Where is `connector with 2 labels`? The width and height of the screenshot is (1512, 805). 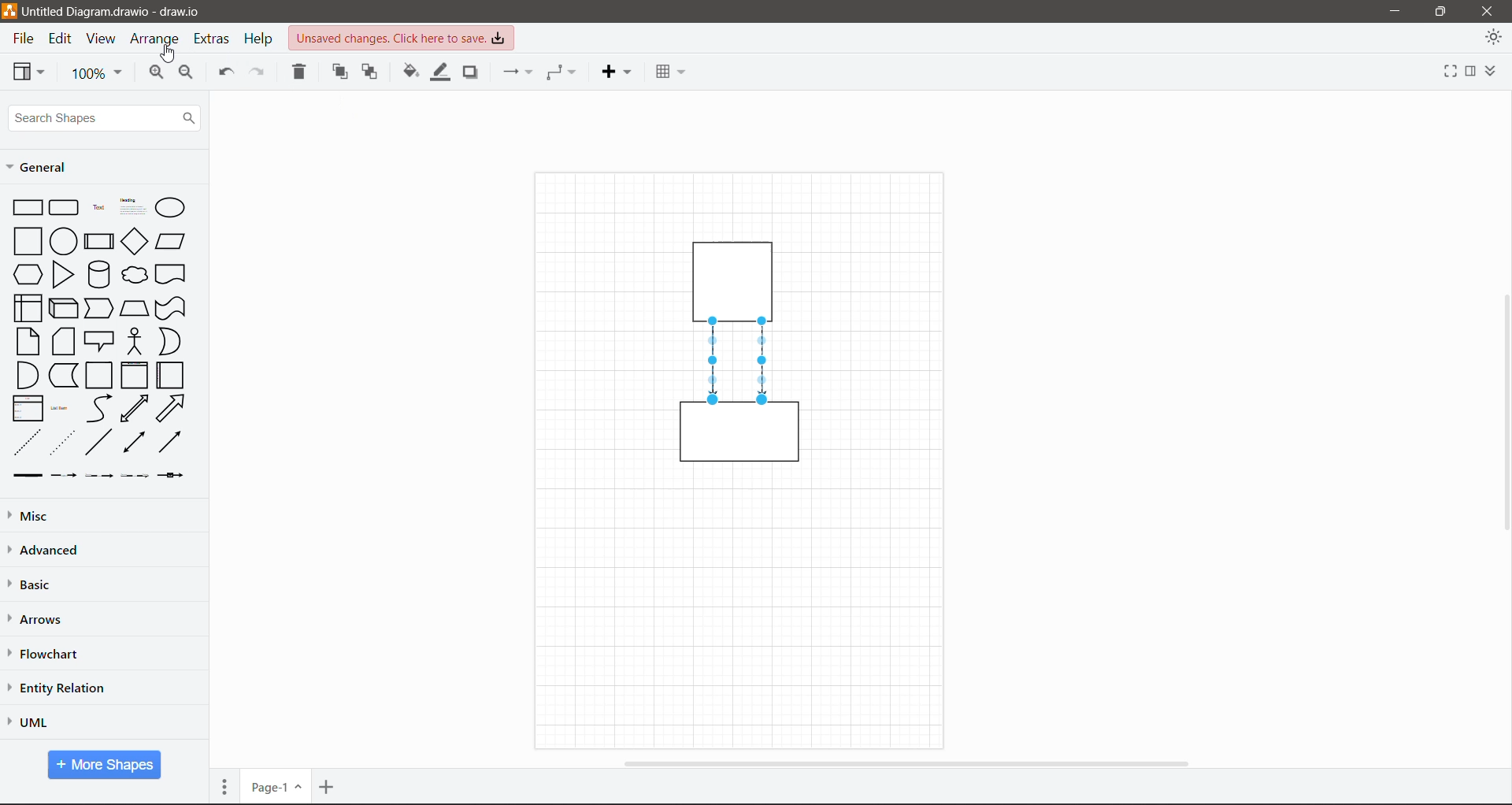
connector with 2 labels is located at coordinates (99, 476).